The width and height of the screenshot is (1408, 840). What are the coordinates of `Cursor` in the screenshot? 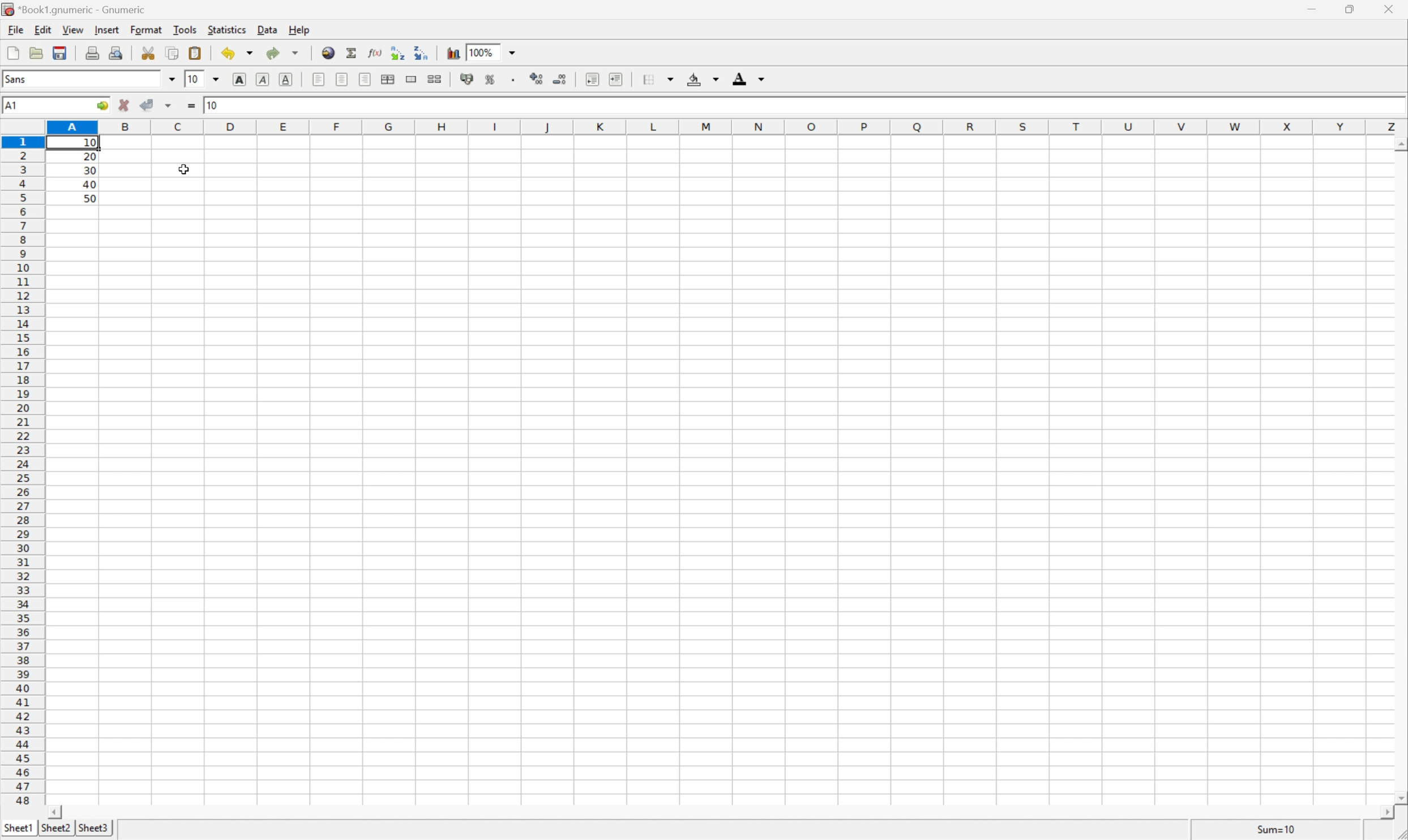 It's located at (184, 170).